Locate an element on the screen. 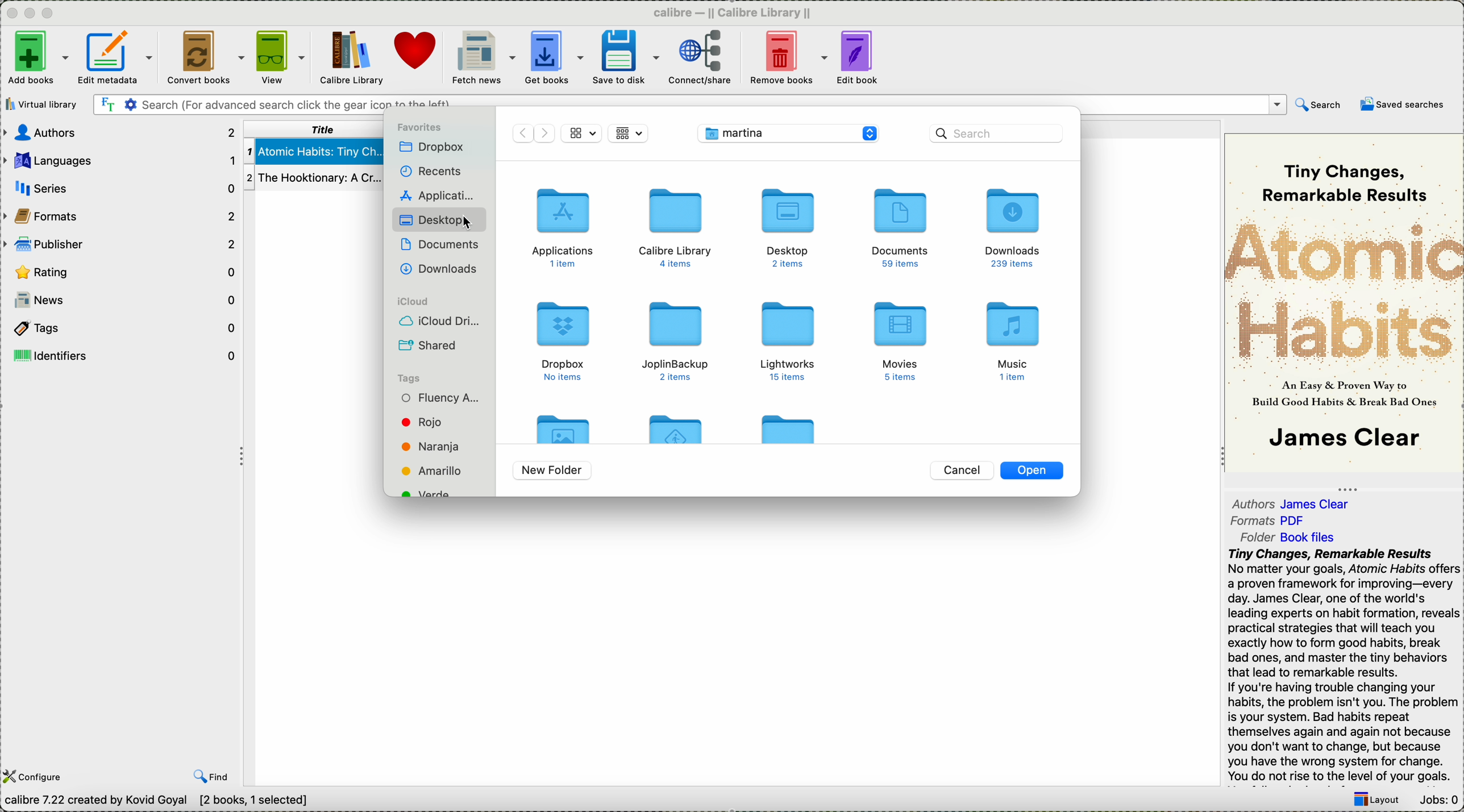 The width and height of the screenshot is (1464, 812). close program is located at coordinates (9, 12).